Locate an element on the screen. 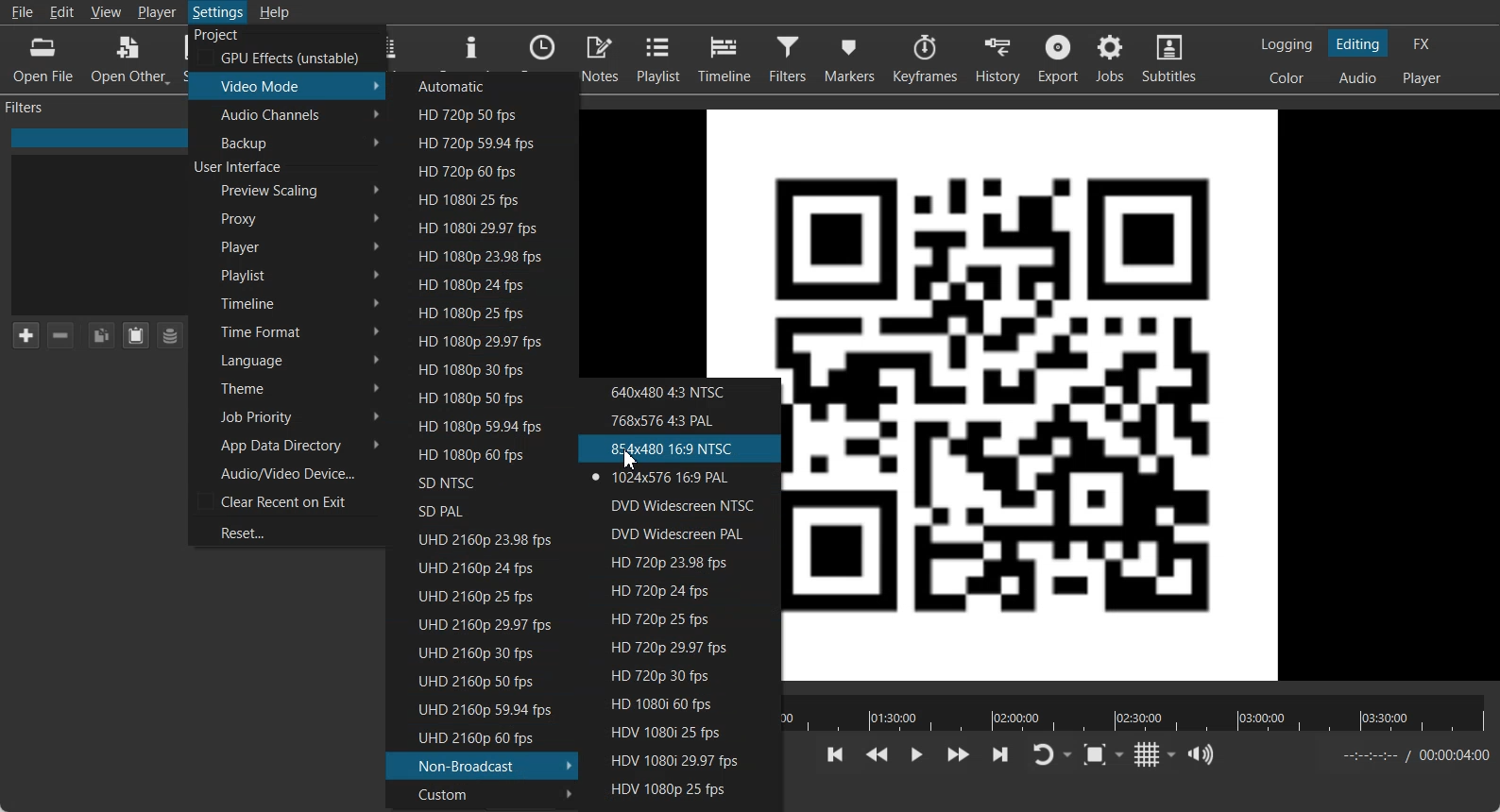 The width and height of the screenshot is (1500, 812). Markers is located at coordinates (848, 59).